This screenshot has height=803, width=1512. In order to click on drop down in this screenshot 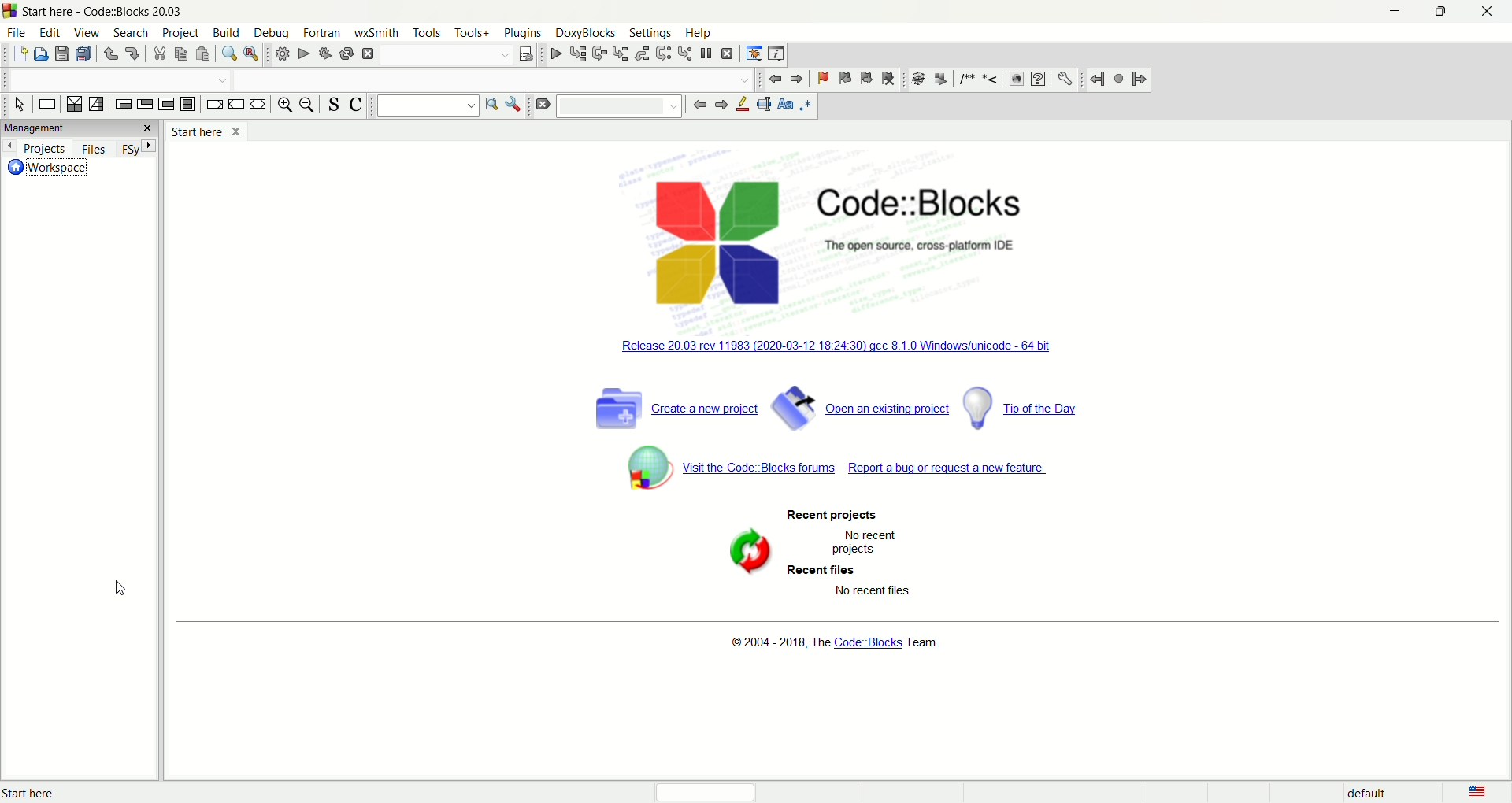, I will do `click(498, 80)`.